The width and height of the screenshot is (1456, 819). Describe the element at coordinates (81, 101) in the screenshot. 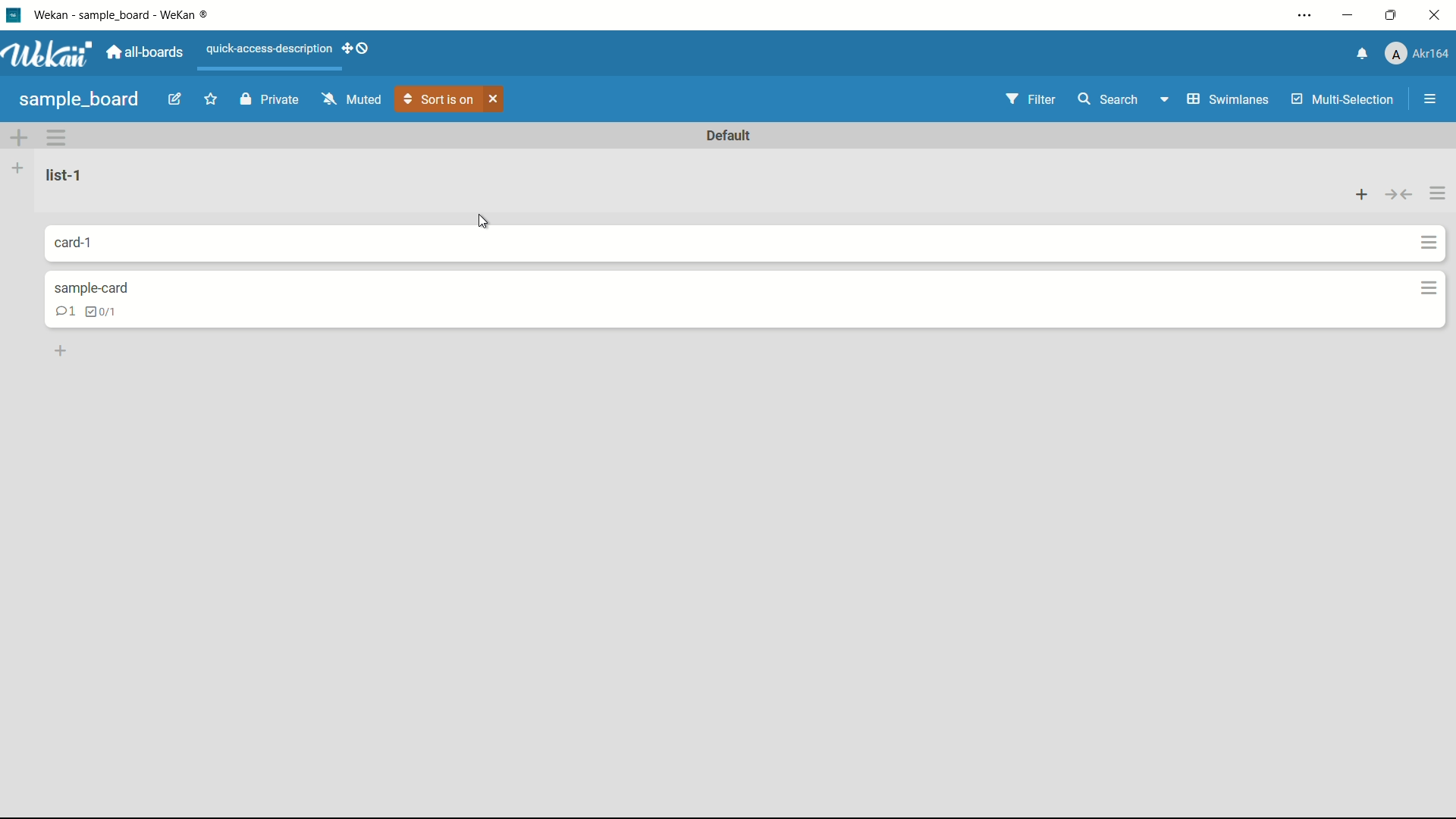

I see `board name` at that location.